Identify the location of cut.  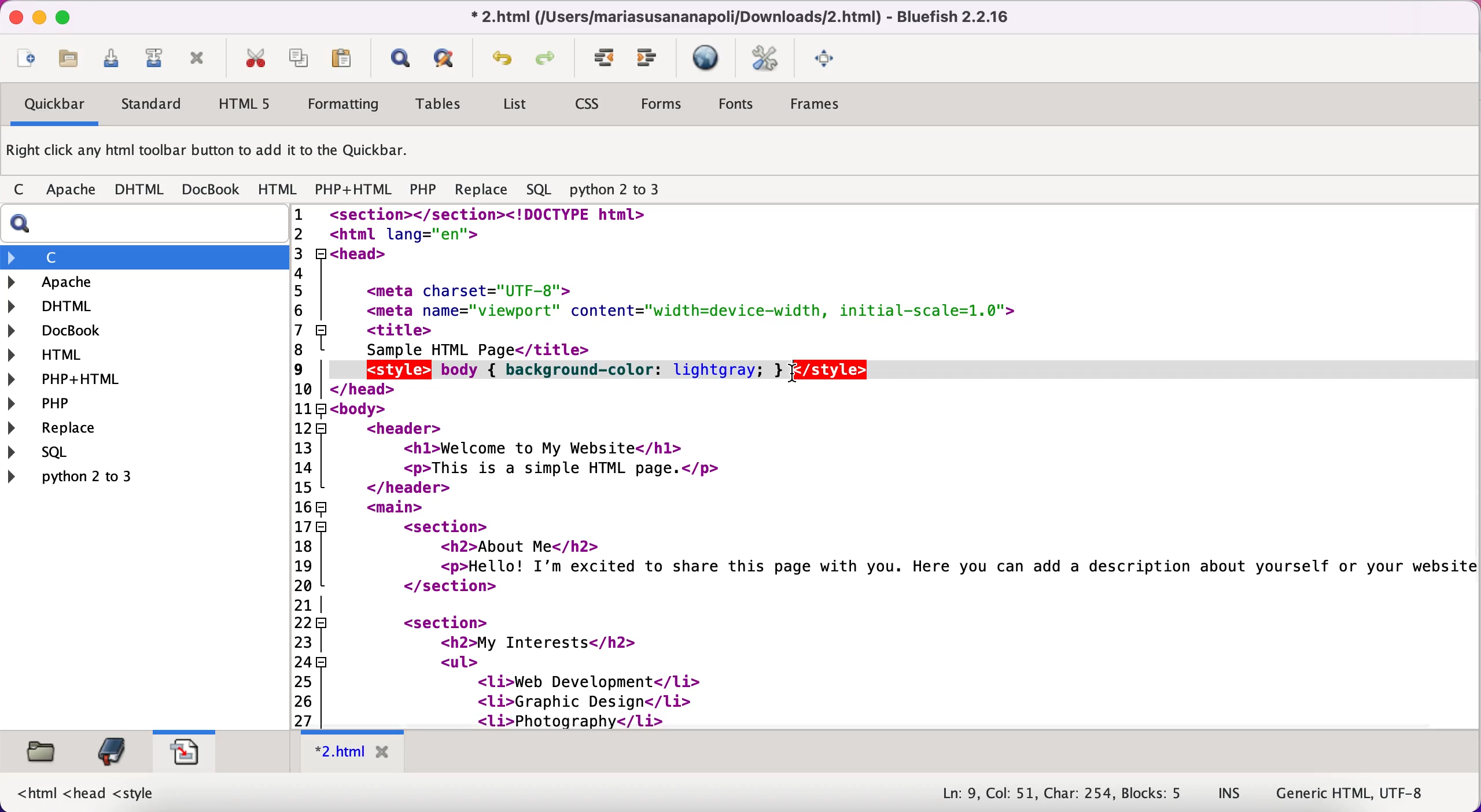
(255, 58).